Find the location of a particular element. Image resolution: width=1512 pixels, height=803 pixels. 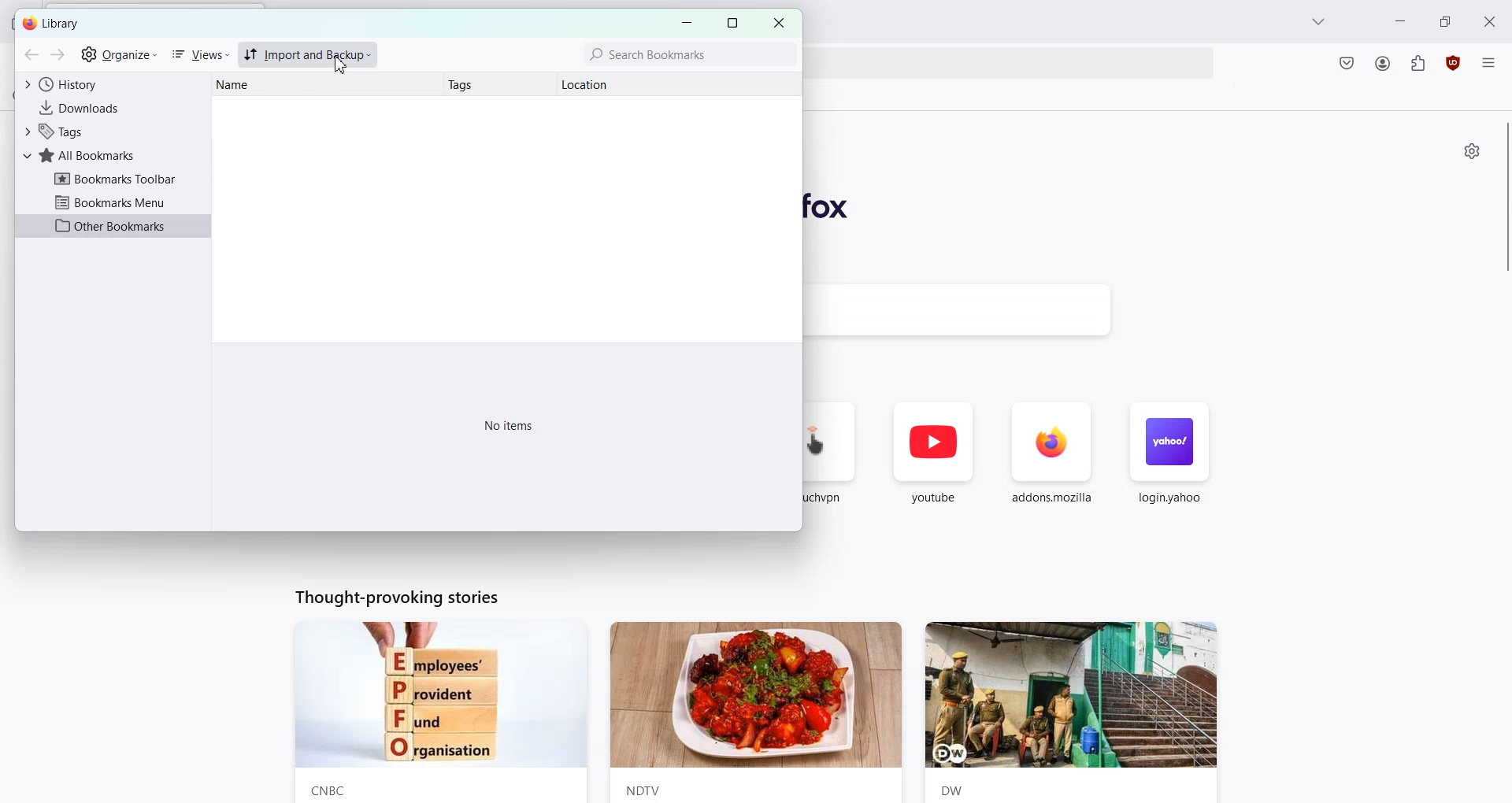

Organize is located at coordinates (119, 55).